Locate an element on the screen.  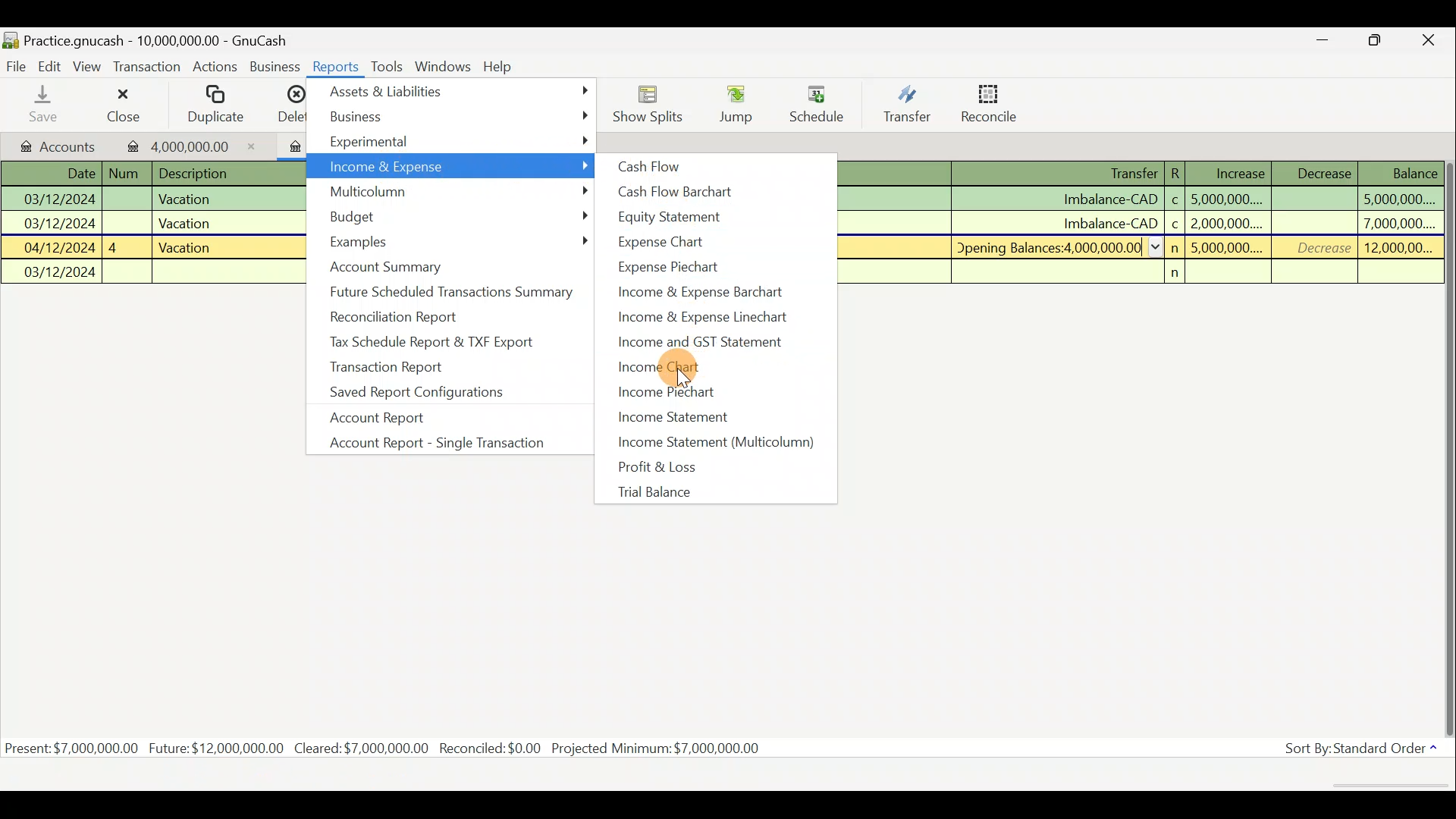
Saved report configurations is located at coordinates (415, 392).